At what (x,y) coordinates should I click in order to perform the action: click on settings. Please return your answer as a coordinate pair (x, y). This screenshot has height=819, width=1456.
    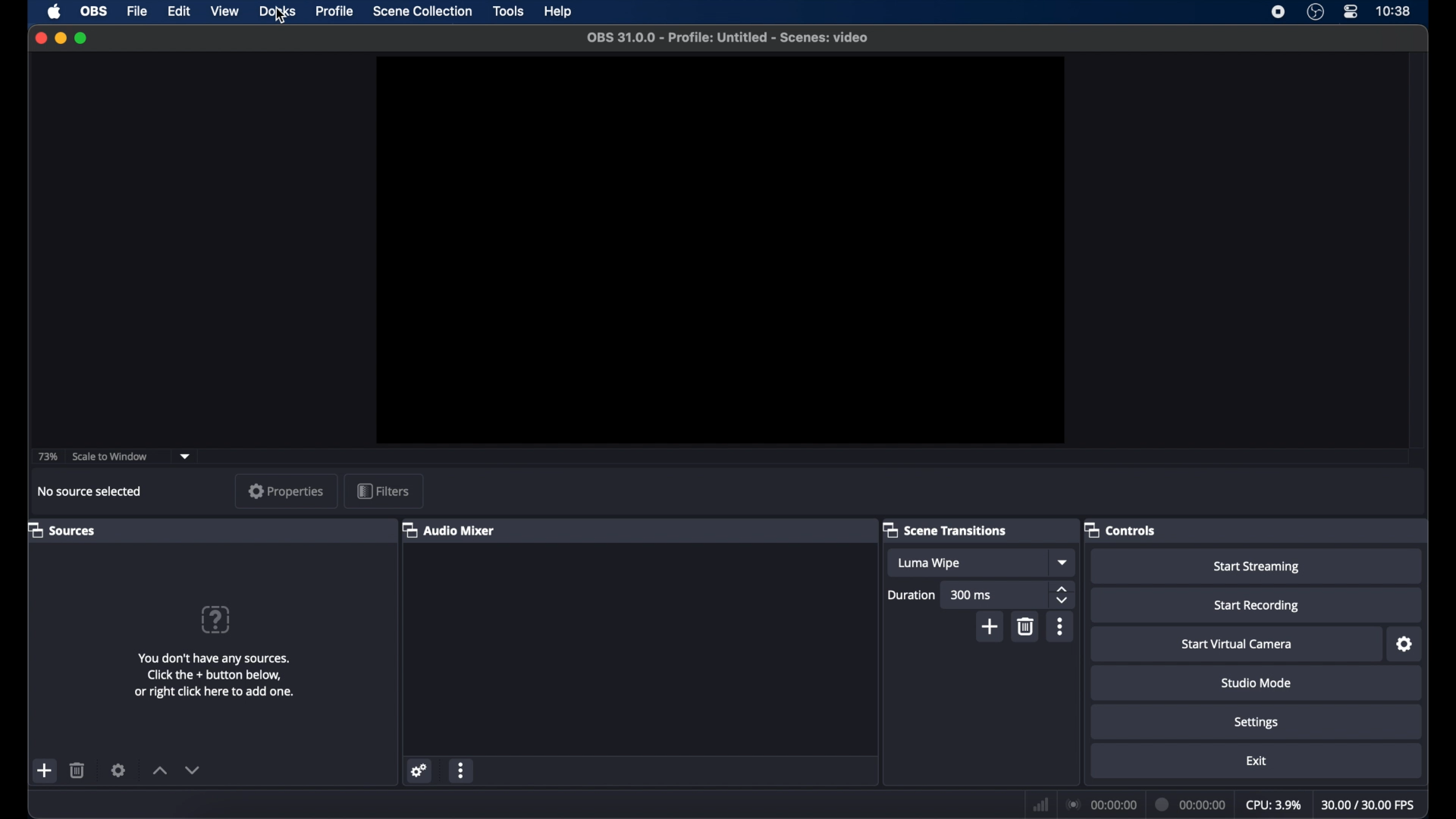
    Looking at the image, I should click on (1405, 645).